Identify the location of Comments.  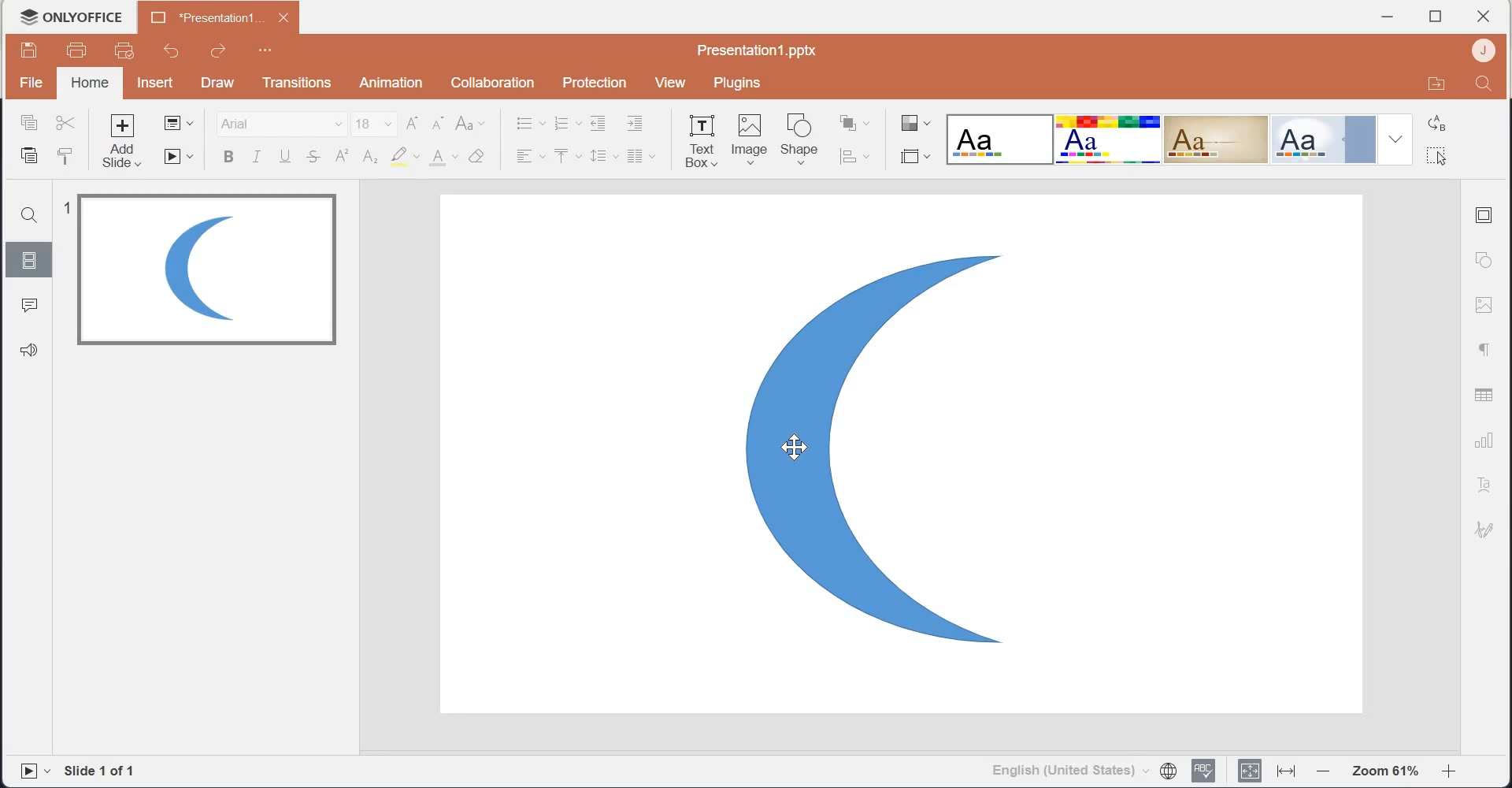
(27, 303).